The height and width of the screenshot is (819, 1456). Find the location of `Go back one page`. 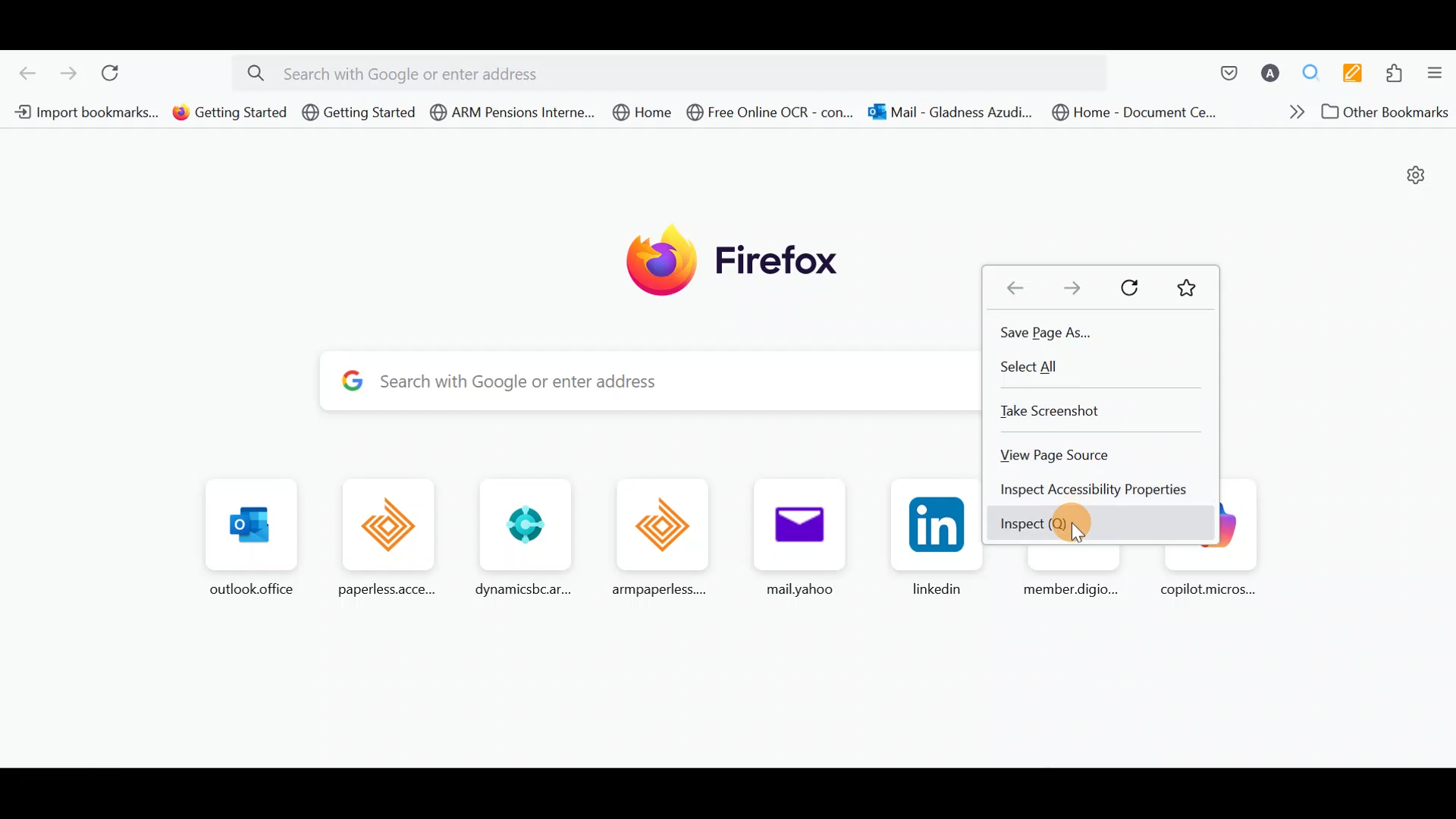

Go back one page is located at coordinates (1015, 281).